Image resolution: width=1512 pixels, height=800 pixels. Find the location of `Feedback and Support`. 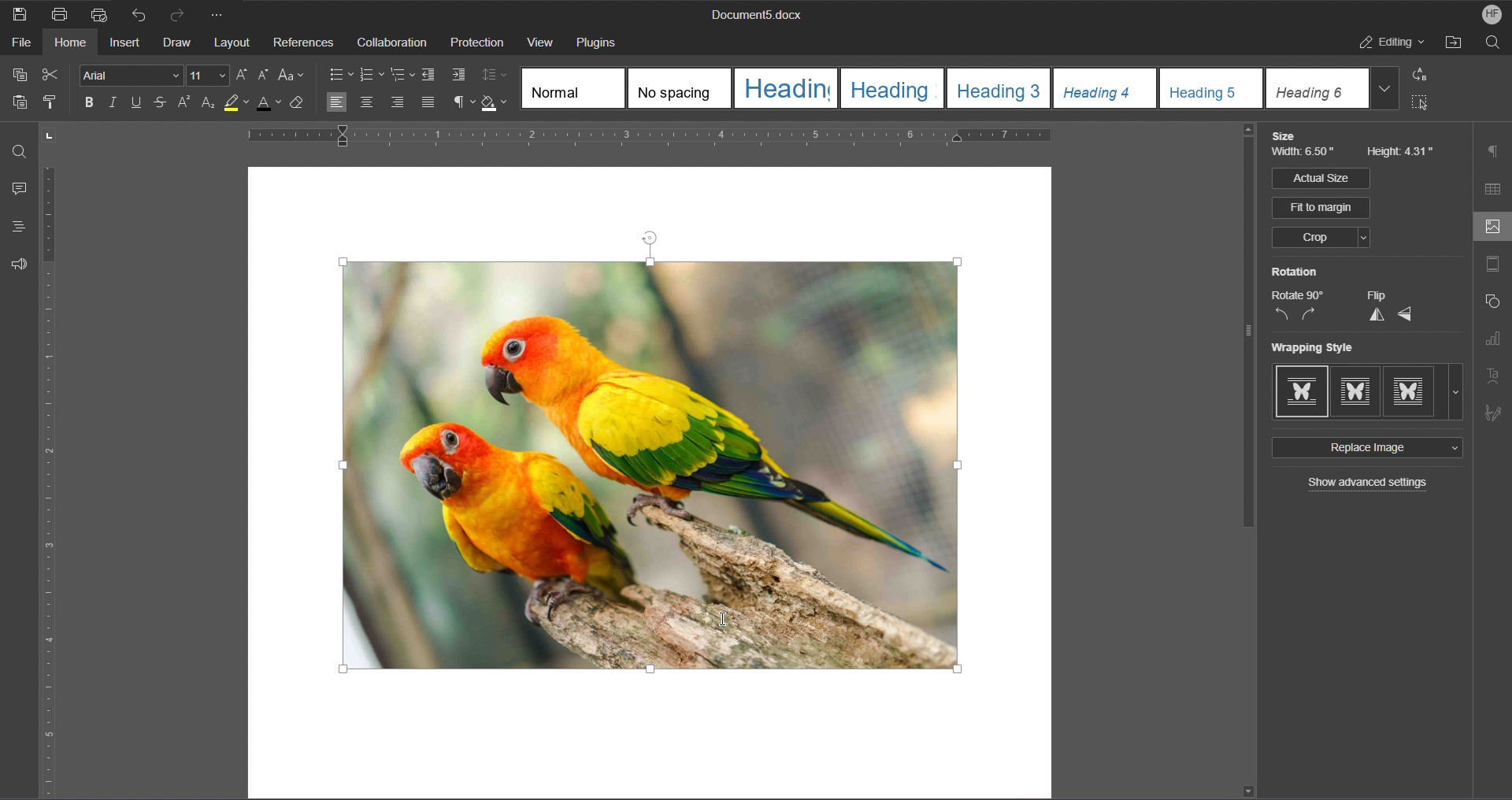

Feedback and Support is located at coordinates (19, 264).